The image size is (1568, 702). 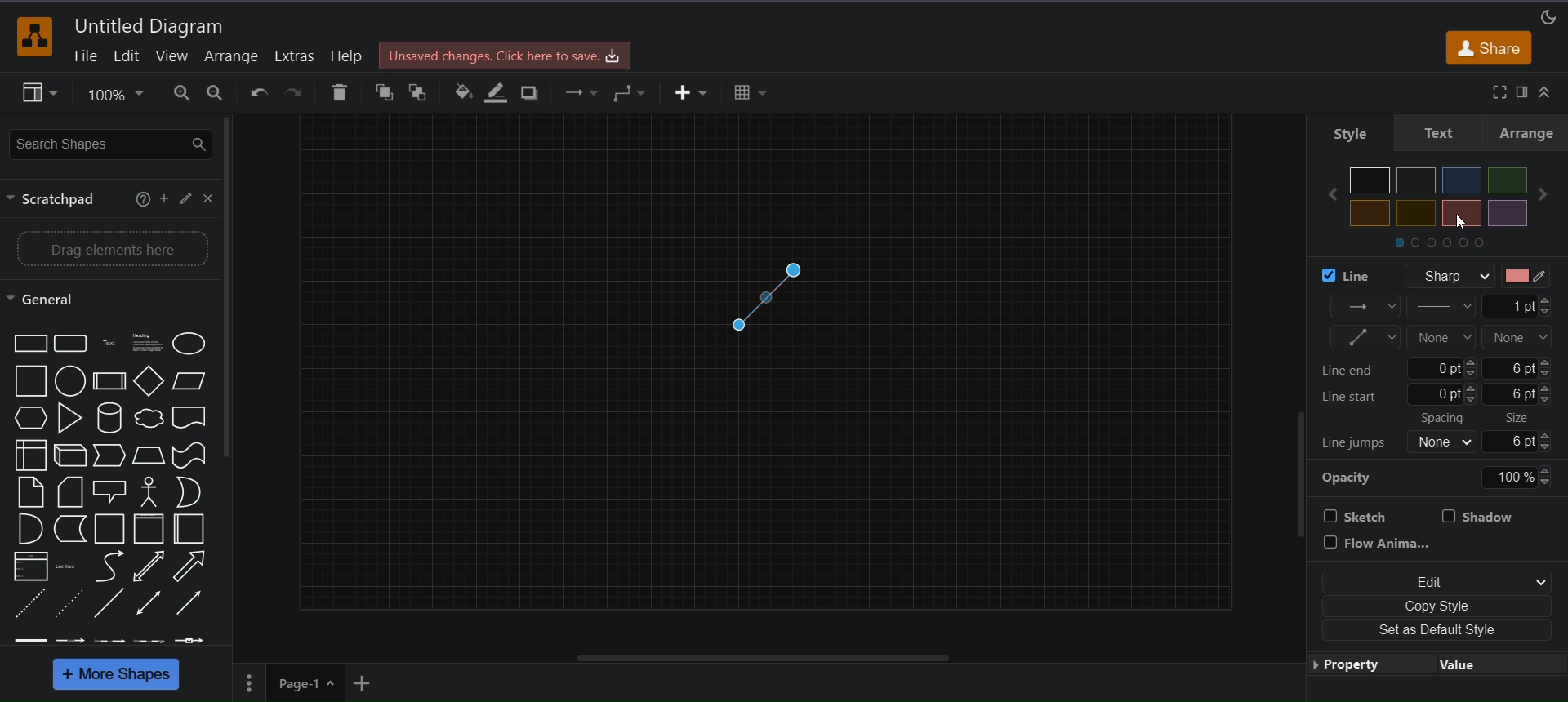 I want to click on shadow, so click(x=1482, y=515).